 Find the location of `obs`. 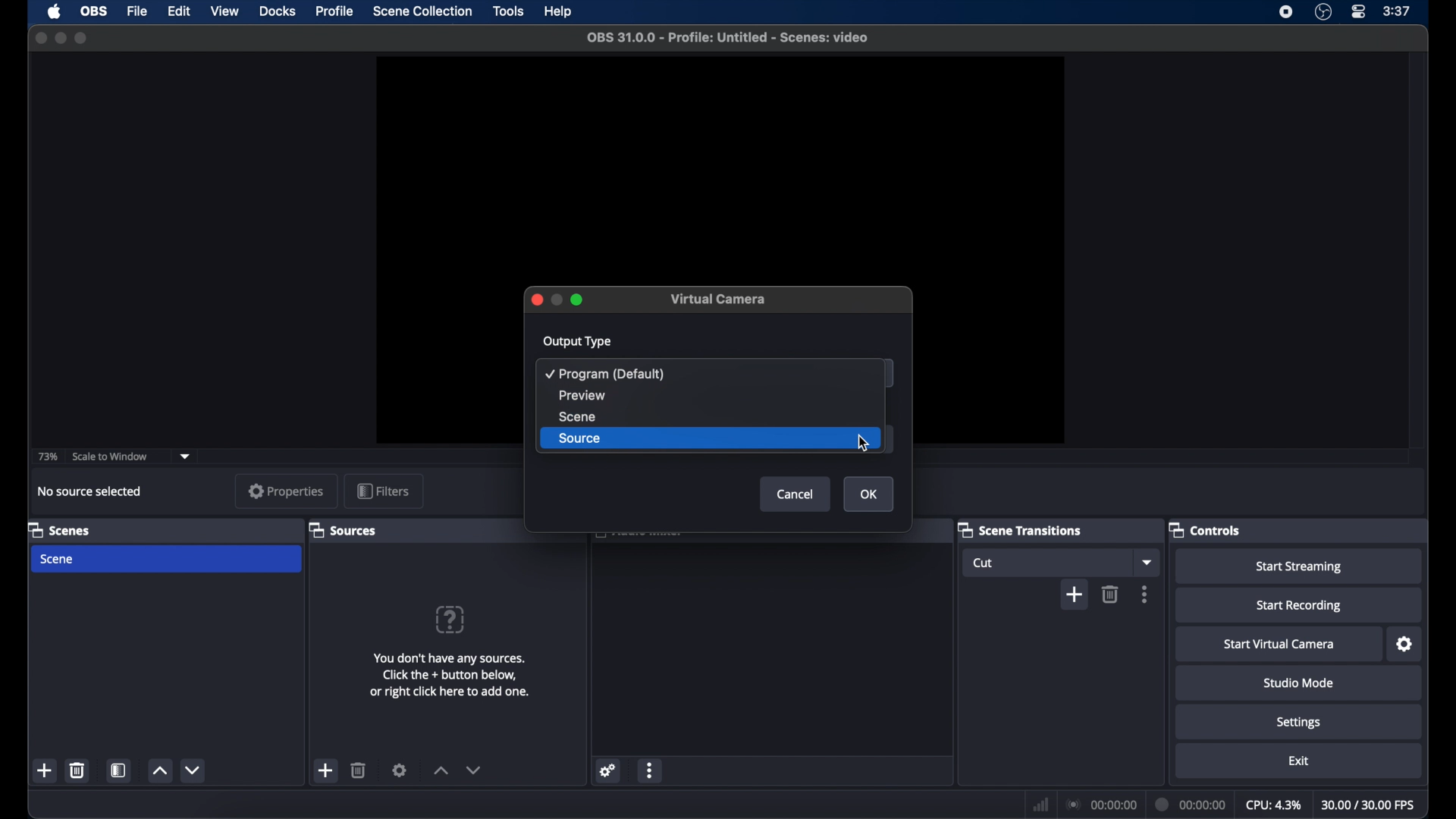

obs is located at coordinates (94, 11).